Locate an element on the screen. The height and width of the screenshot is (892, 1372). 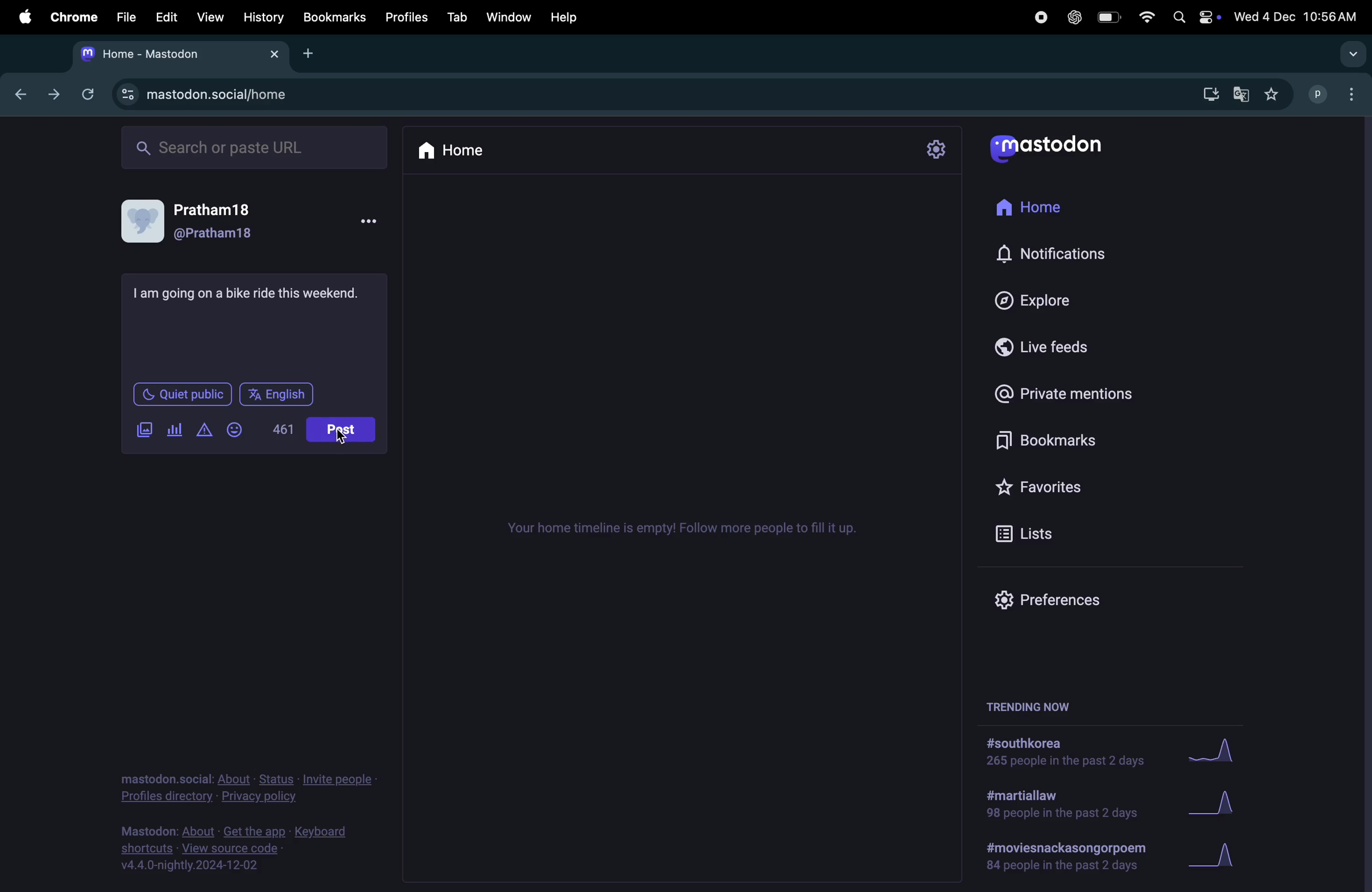
English is located at coordinates (278, 395).